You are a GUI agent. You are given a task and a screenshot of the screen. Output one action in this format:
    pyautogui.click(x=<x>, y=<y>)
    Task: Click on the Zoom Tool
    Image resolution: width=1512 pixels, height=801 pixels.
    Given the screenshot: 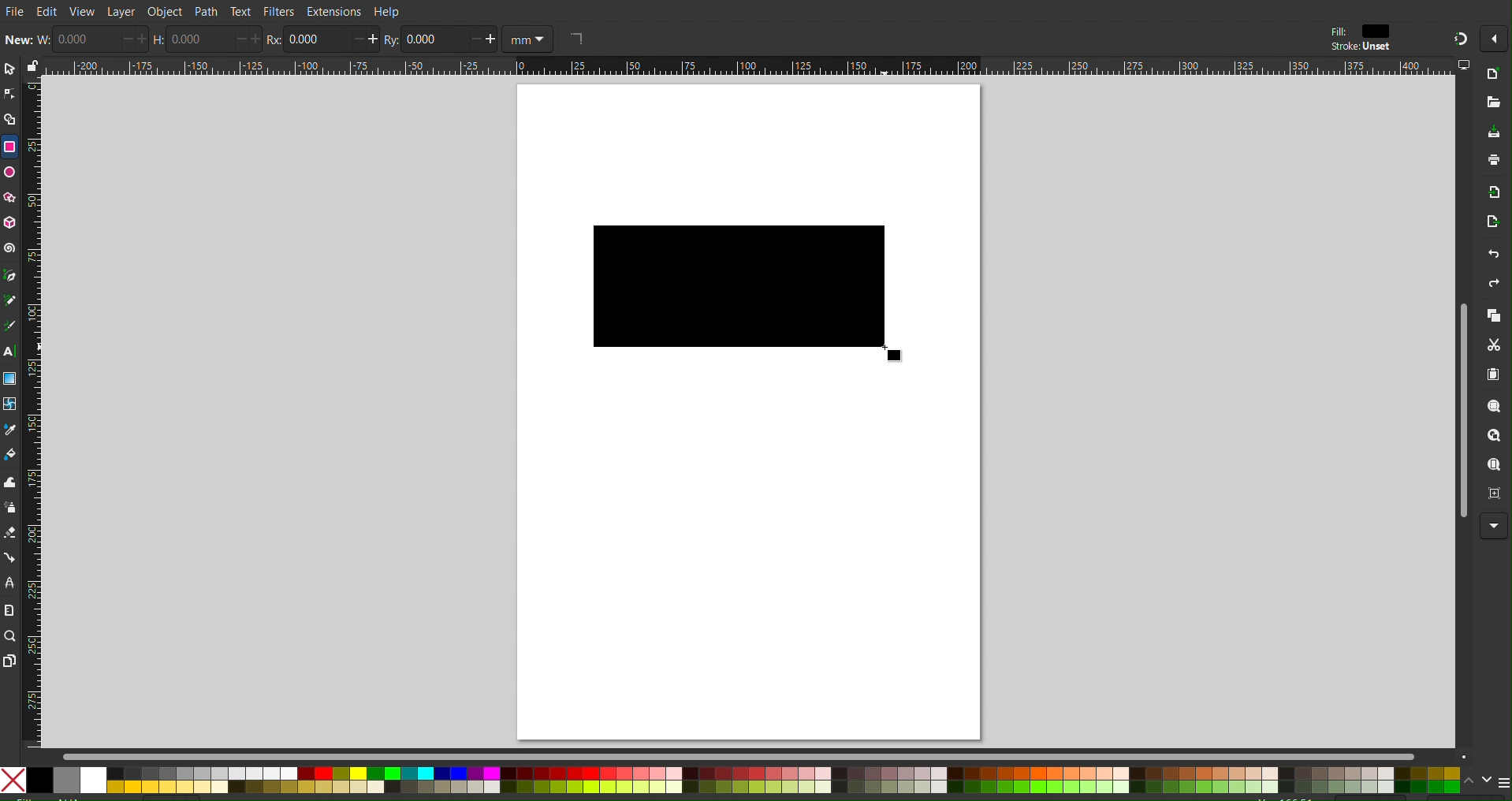 What is the action you would take?
    pyautogui.click(x=9, y=635)
    